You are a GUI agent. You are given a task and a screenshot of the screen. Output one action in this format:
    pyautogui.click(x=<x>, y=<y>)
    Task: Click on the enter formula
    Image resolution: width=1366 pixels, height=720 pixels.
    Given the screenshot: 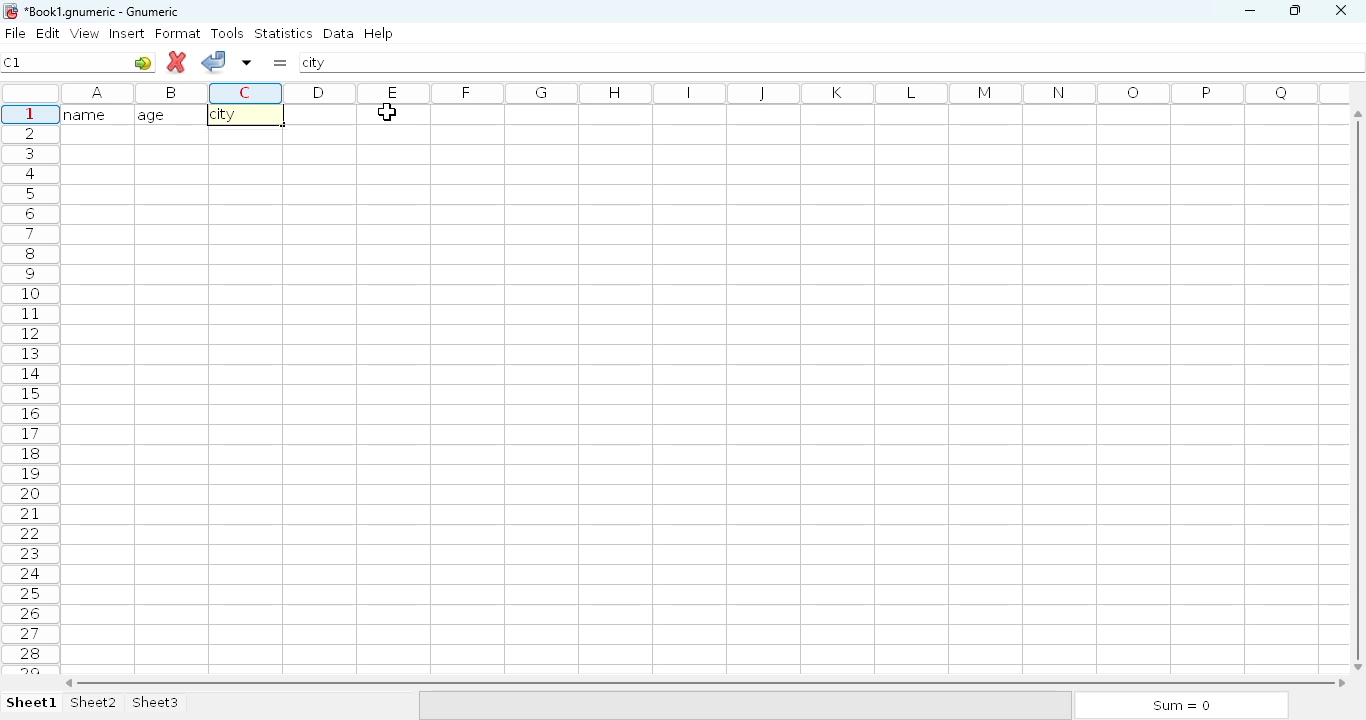 What is the action you would take?
    pyautogui.click(x=279, y=62)
    